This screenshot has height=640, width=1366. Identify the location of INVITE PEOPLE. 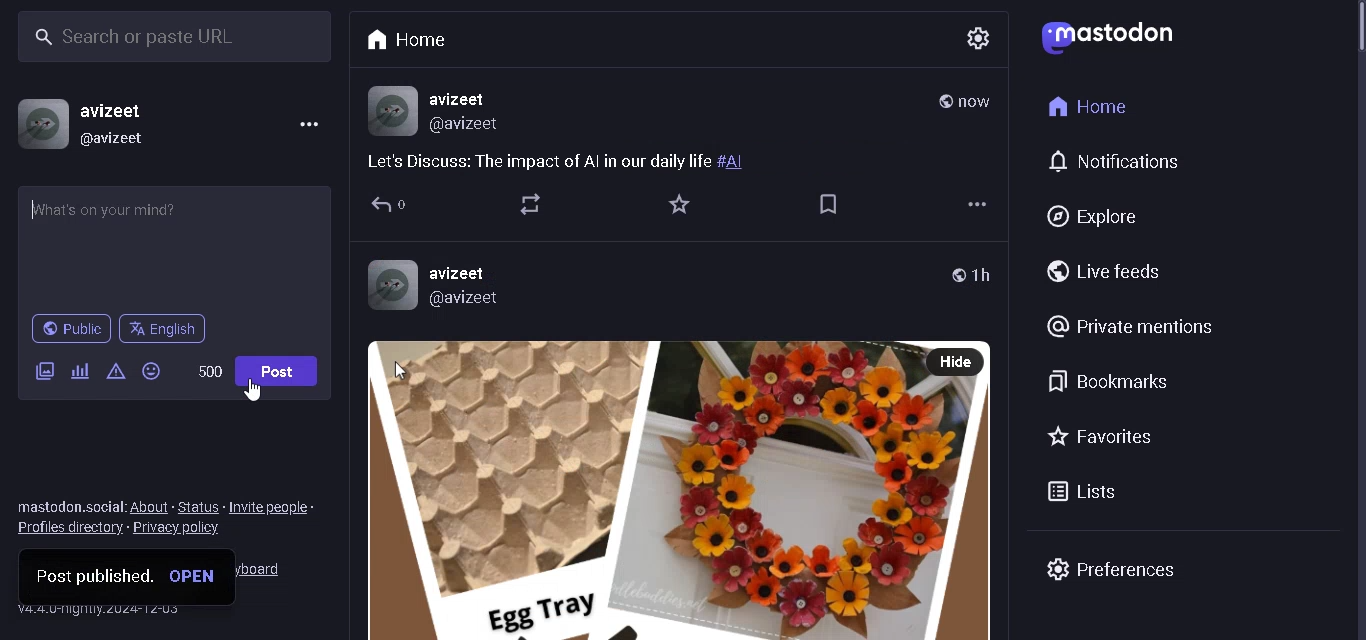
(272, 507).